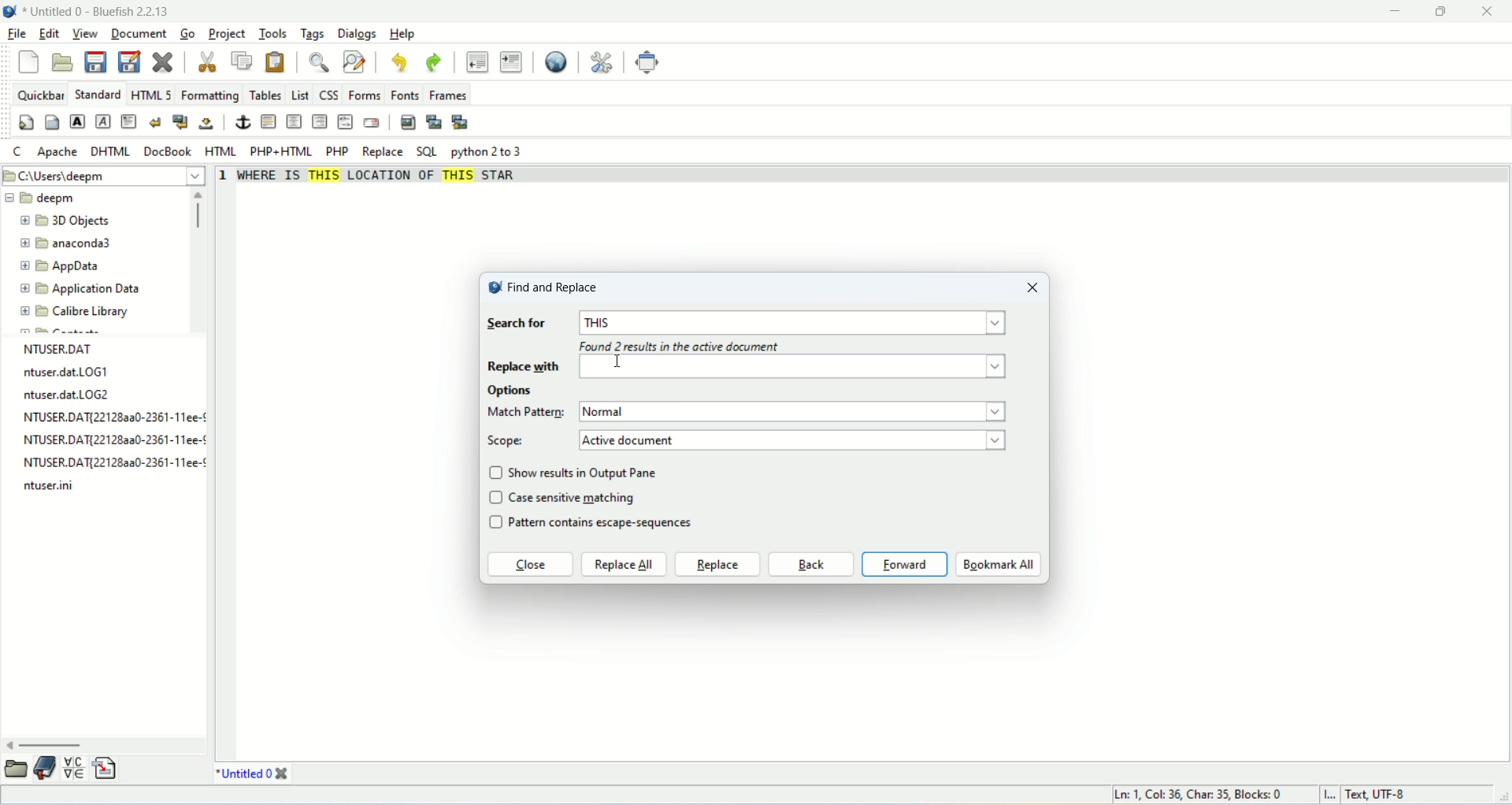 Image resolution: width=1512 pixels, height=805 pixels. I want to click on save as, so click(130, 61).